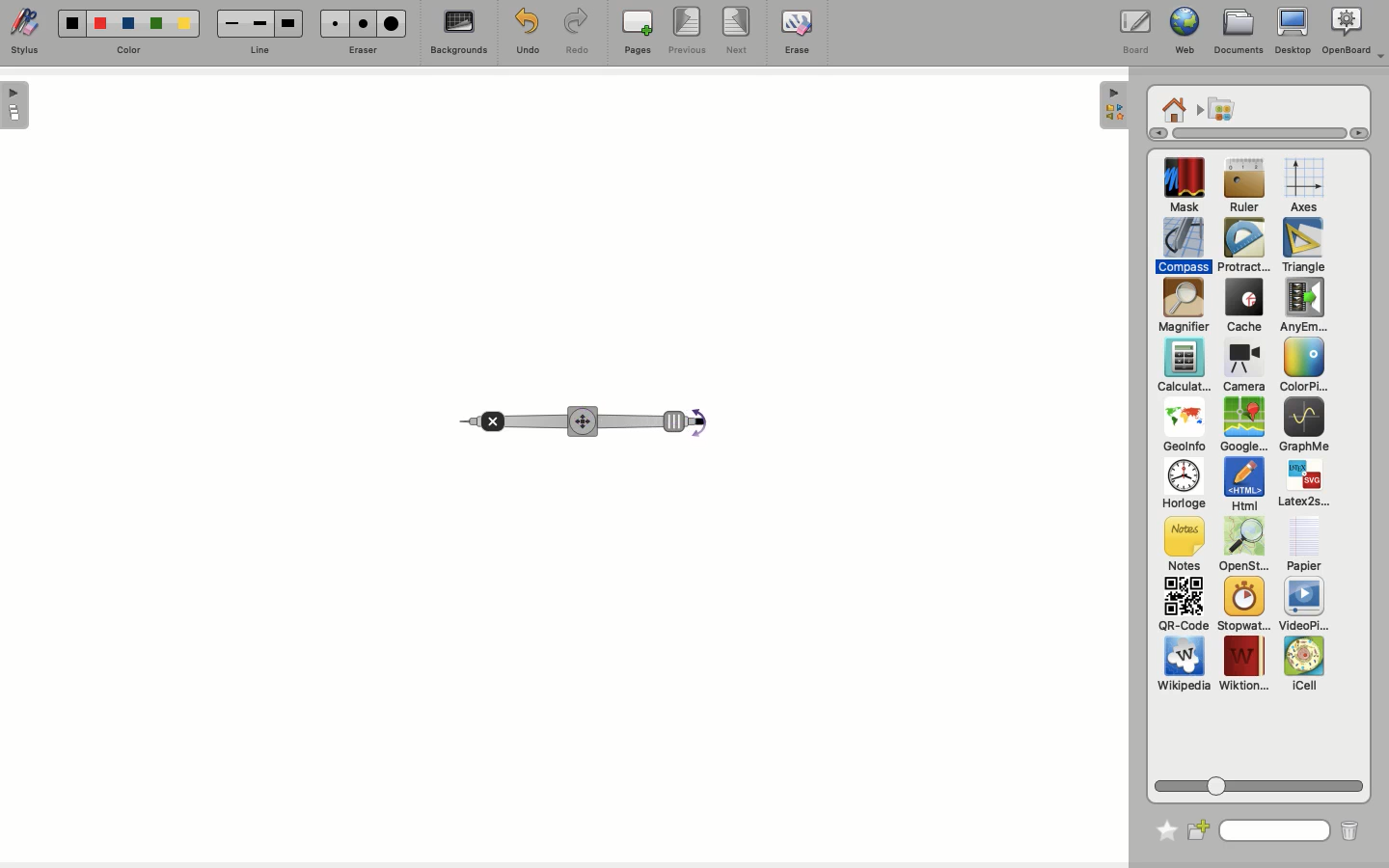  What do you see at coordinates (1246, 246) in the screenshot?
I see `Protractor` at bounding box center [1246, 246].